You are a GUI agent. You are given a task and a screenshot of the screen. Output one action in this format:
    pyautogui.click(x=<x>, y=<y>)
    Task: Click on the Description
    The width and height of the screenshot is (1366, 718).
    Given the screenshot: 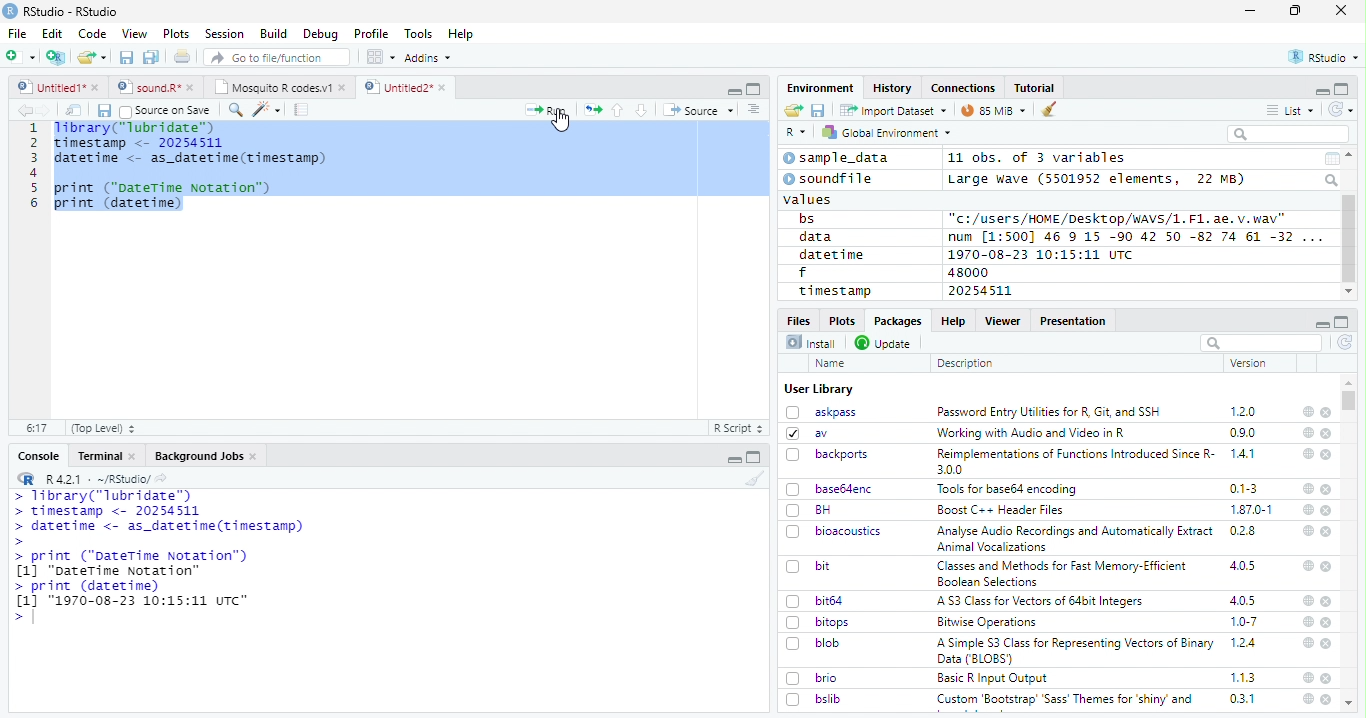 What is the action you would take?
    pyautogui.click(x=966, y=363)
    